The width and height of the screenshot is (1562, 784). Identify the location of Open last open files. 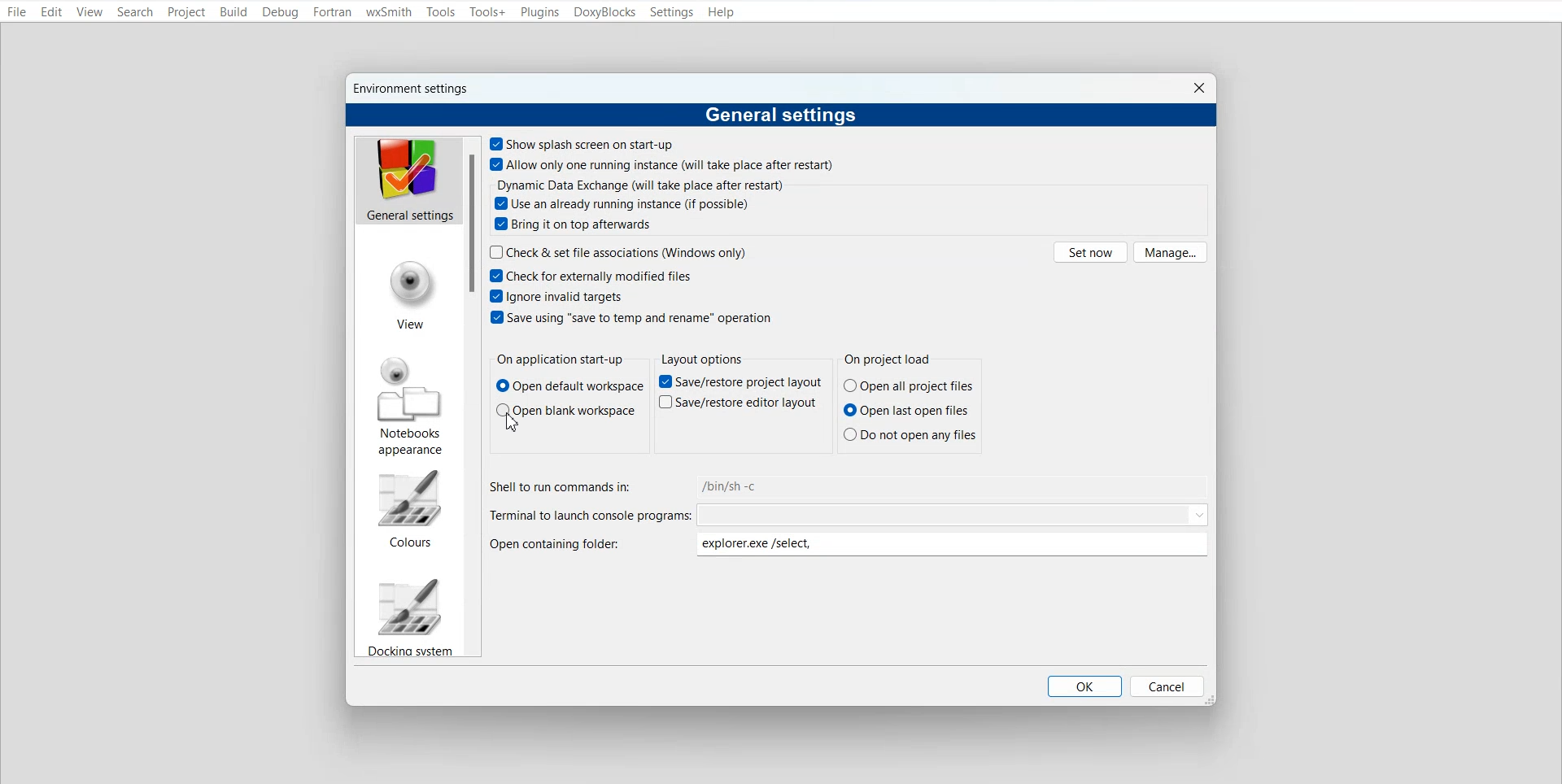
(910, 410).